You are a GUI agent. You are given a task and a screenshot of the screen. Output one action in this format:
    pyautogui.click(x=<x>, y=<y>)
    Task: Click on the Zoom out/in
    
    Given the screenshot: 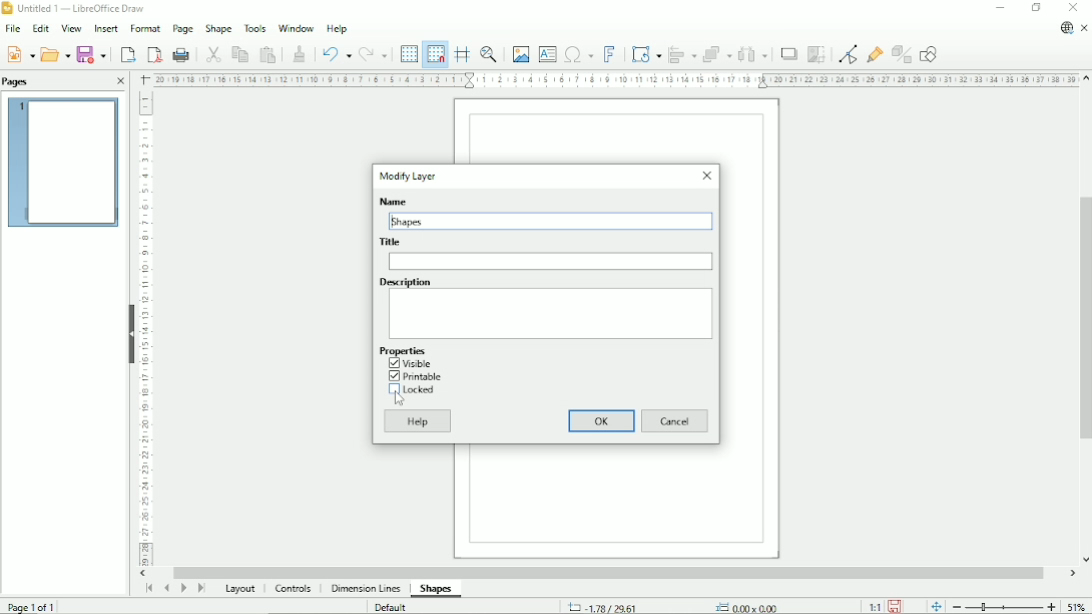 What is the action you would take?
    pyautogui.click(x=1004, y=607)
    